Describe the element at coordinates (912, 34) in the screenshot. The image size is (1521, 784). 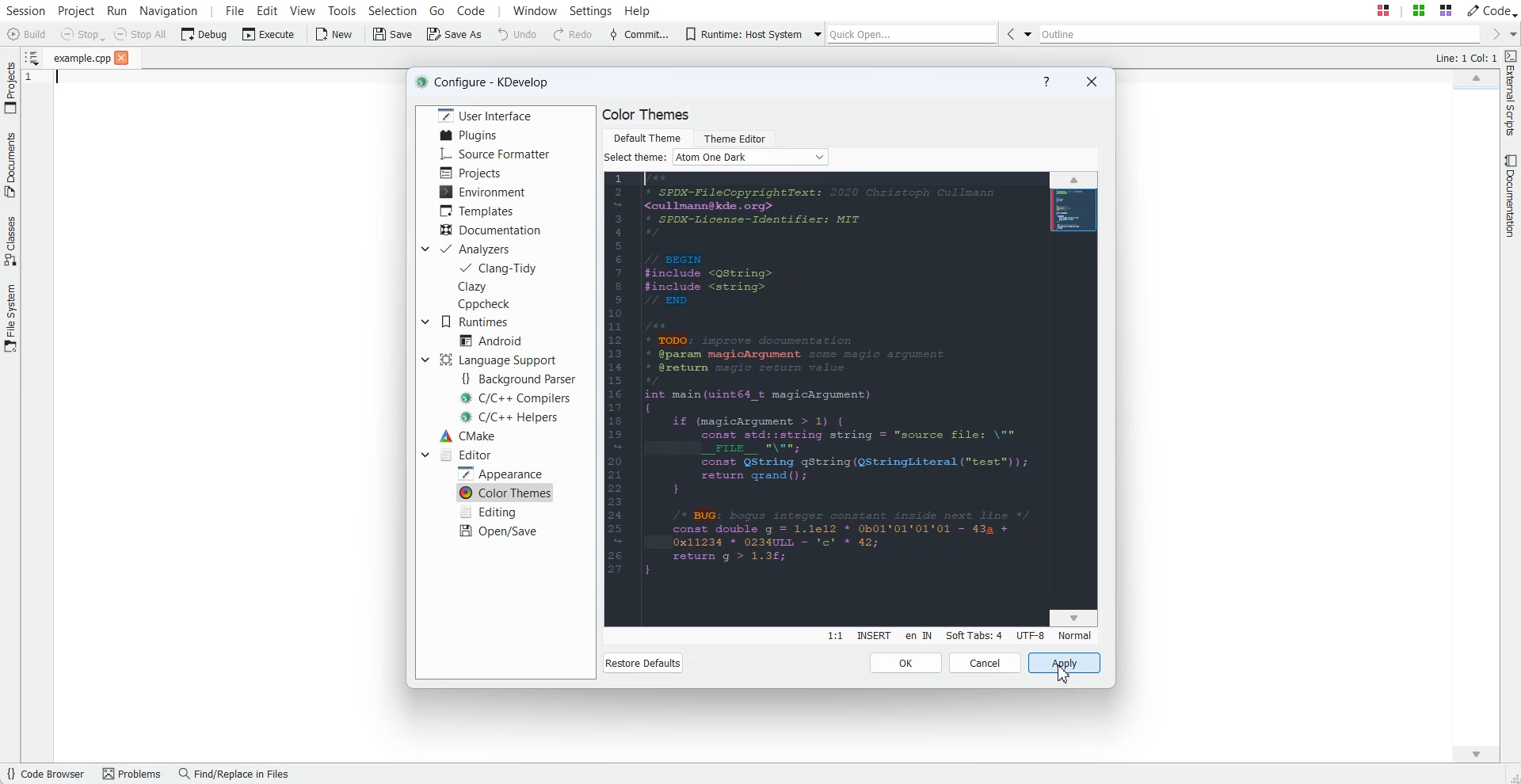
I see `Quick Open` at that location.